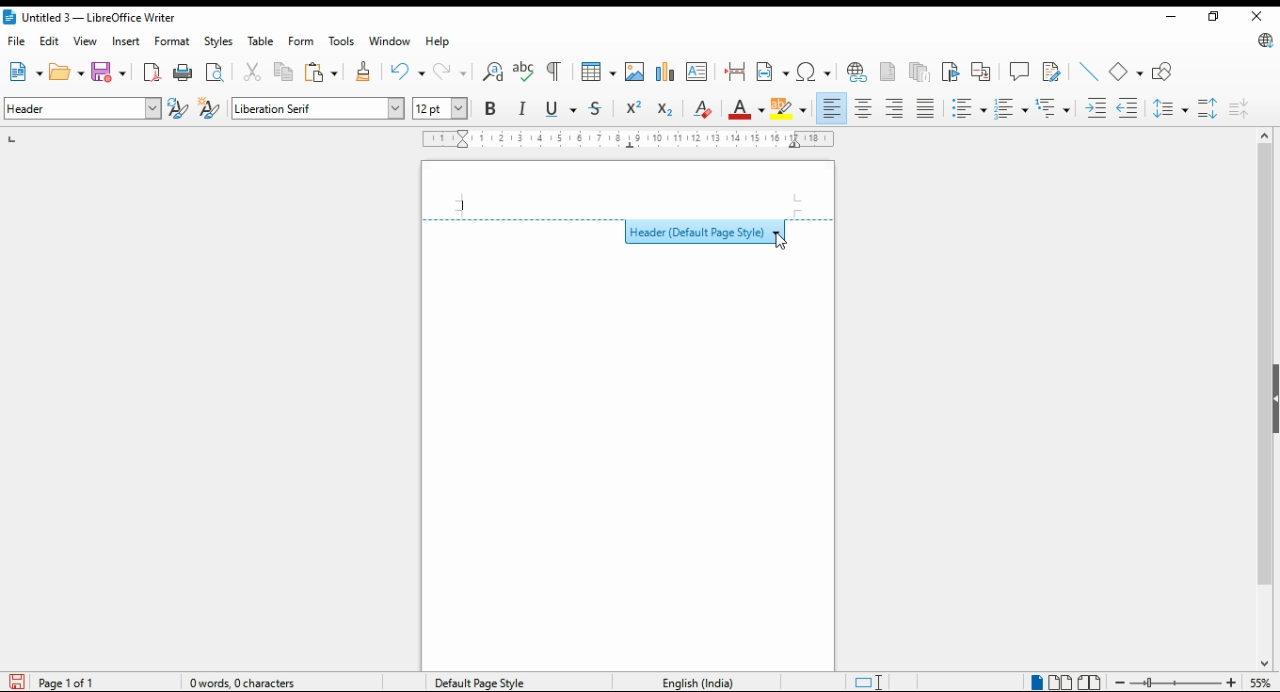 The image size is (1280, 692). Describe the element at coordinates (737, 72) in the screenshot. I see `insert page break` at that location.